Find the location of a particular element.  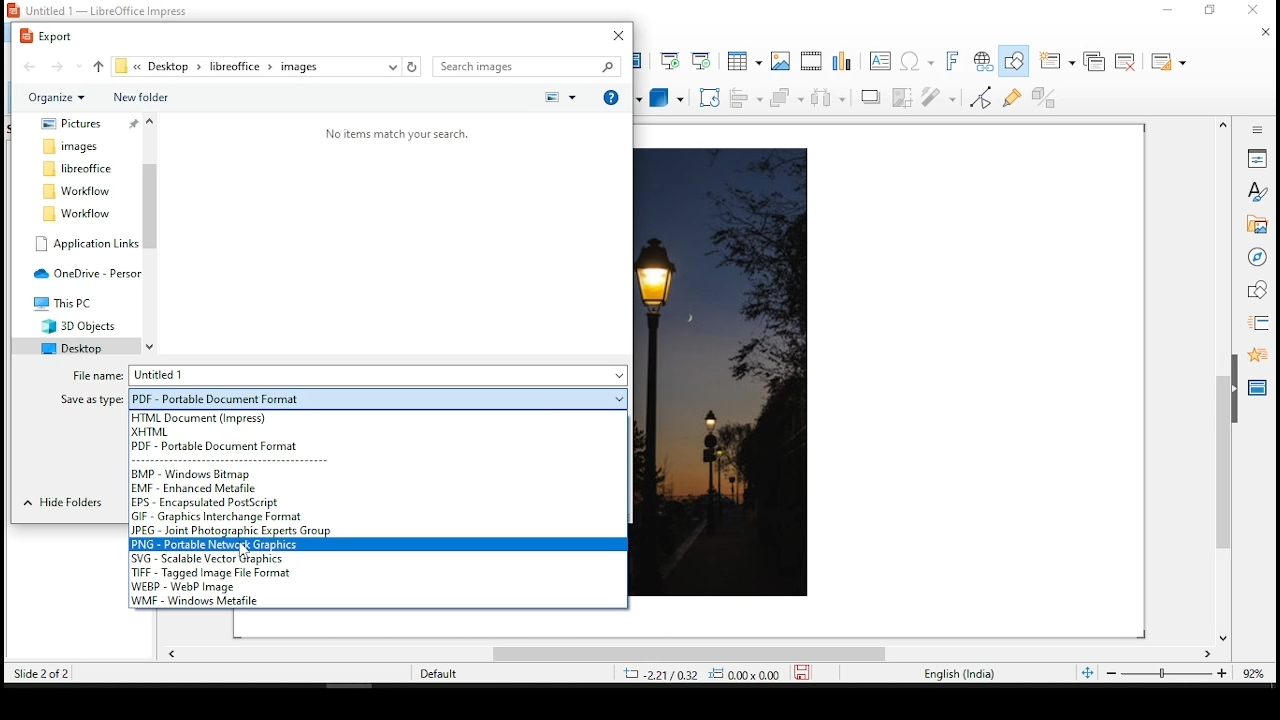

tiff is located at coordinates (247, 572).